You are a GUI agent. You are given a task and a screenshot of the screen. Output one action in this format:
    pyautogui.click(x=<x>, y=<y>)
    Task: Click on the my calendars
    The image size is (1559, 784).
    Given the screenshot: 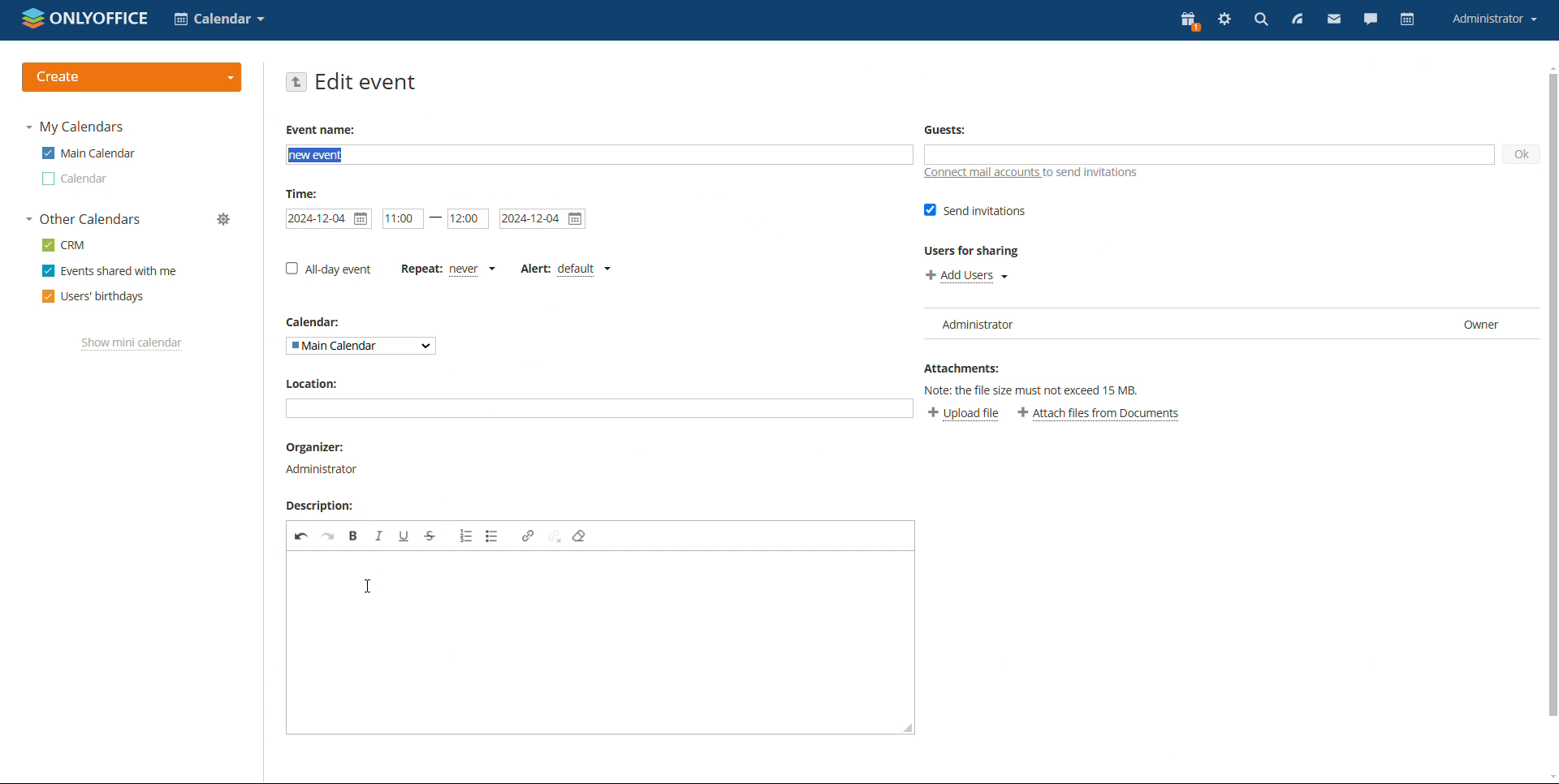 What is the action you would take?
    pyautogui.click(x=76, y=127)
    